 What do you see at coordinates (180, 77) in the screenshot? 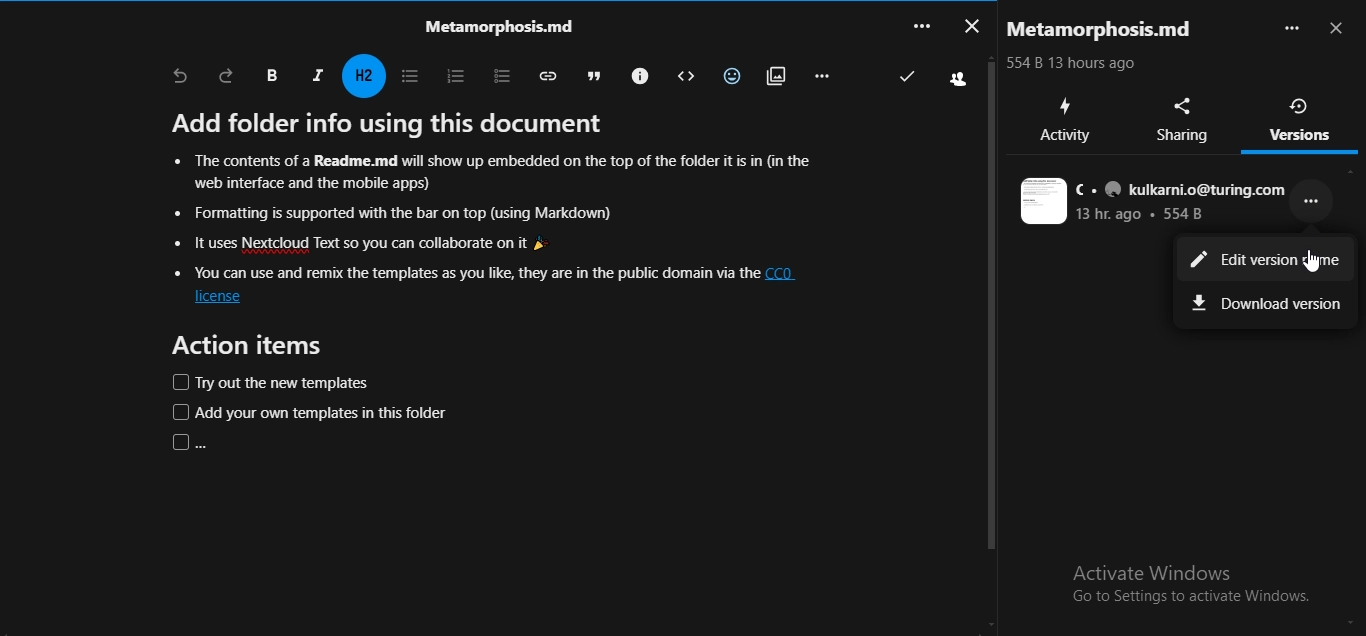
I see `undo` at bounding box center [180, 77].